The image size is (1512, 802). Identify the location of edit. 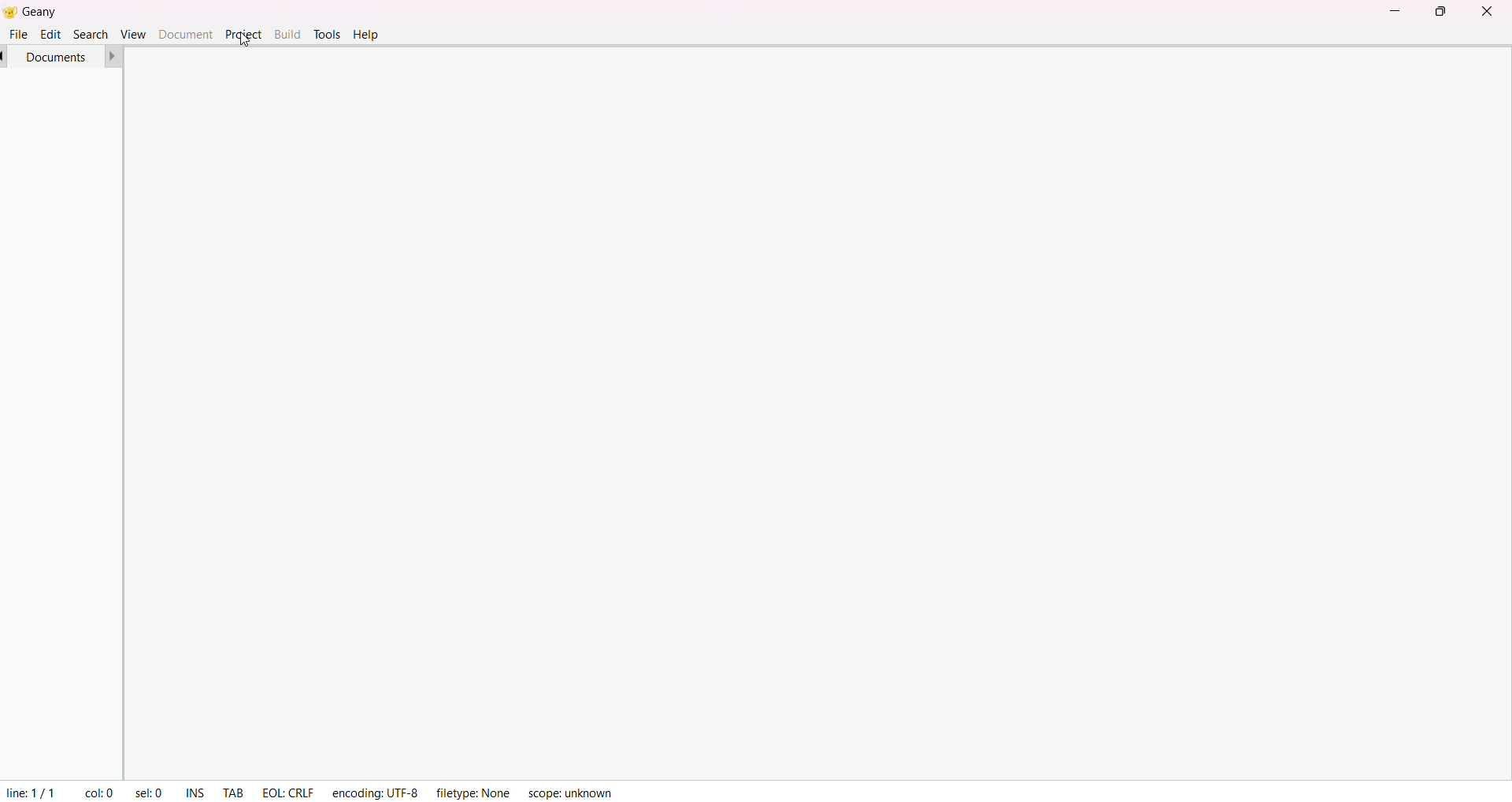
(52, 33).